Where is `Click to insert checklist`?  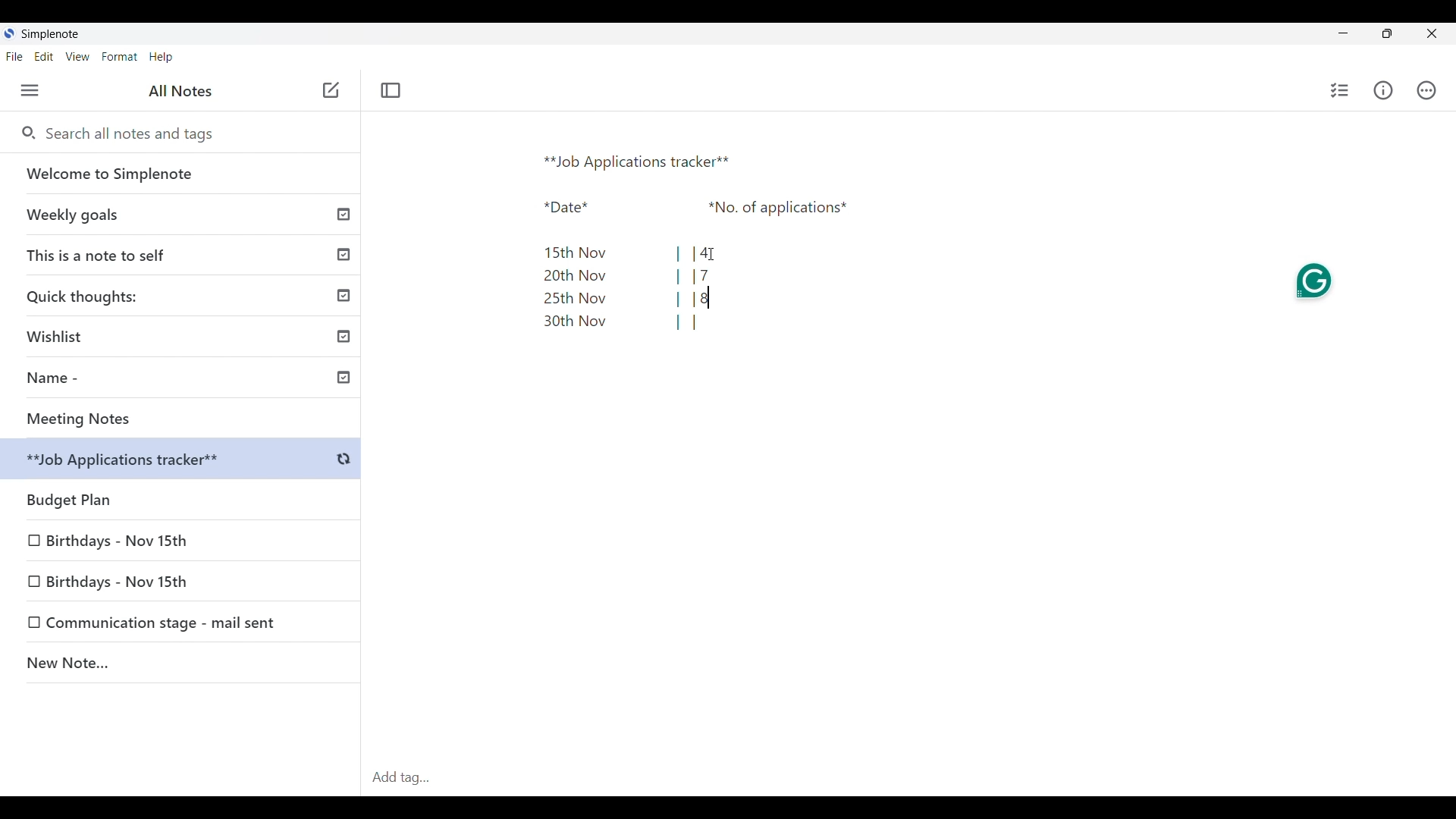
Click to insert checklist is located at coordinates (1341, 90).